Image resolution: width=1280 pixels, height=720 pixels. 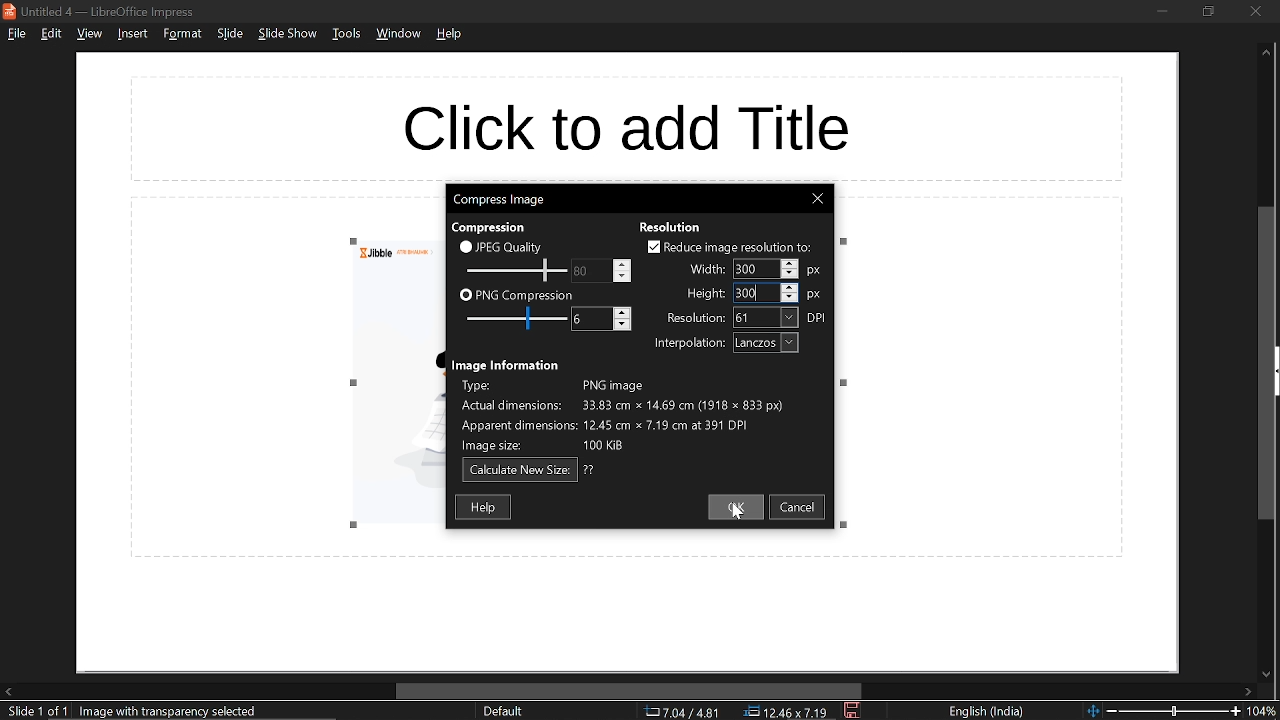 I want to click on change PNG compression, so click(x=582, y=318).